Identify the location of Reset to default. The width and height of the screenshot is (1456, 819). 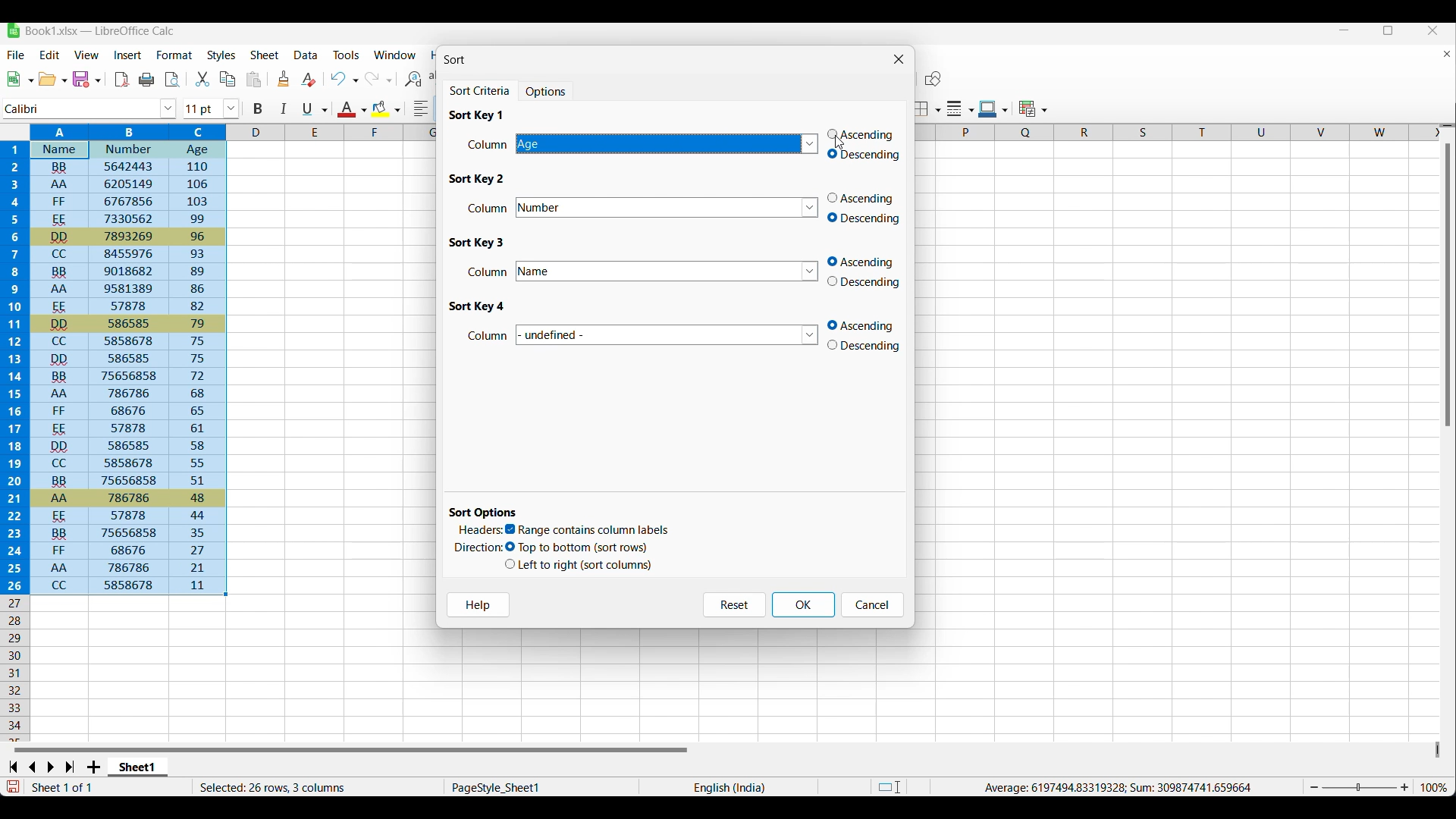
(734, 605).